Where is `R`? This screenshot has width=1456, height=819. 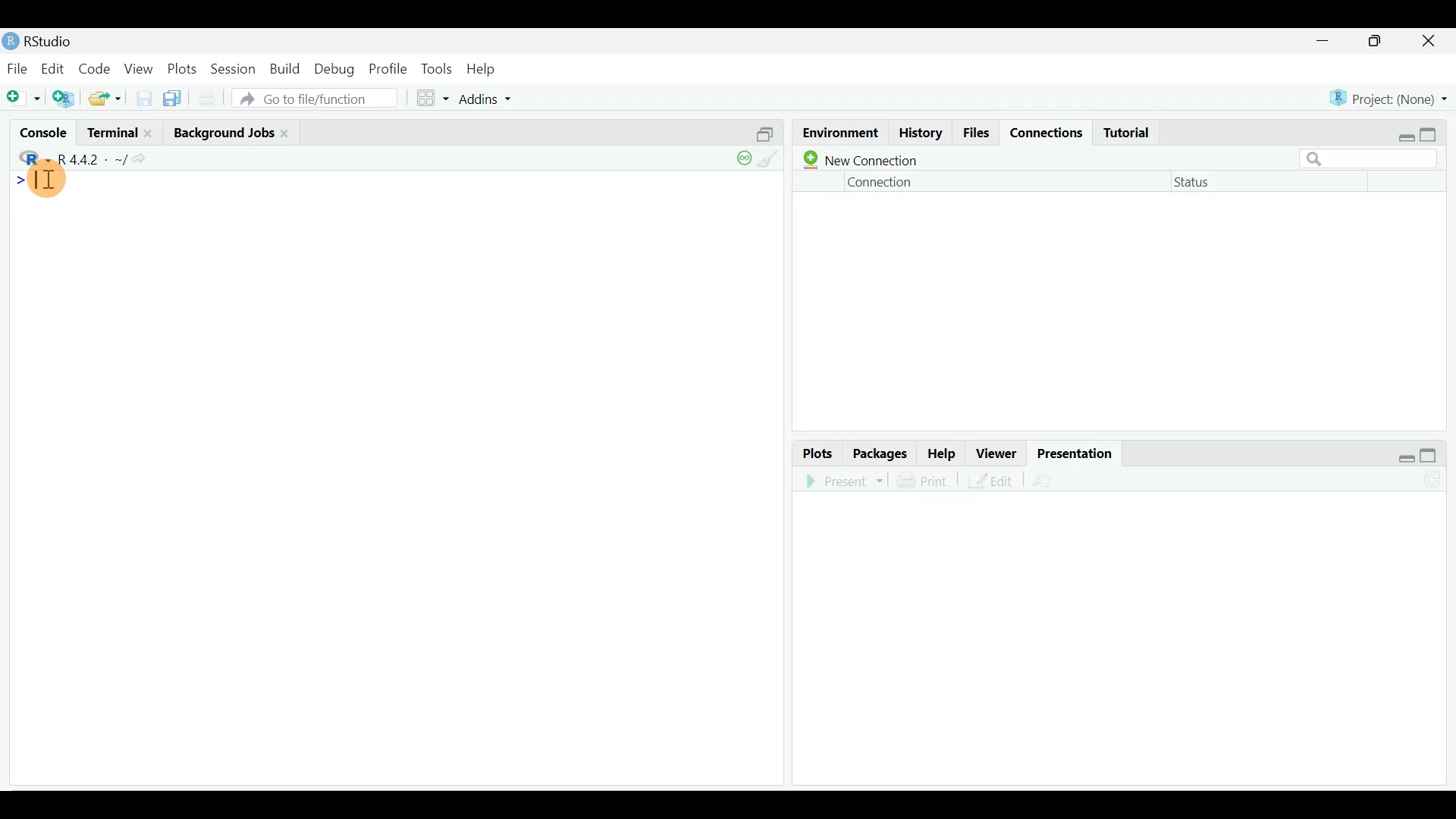 R is located at coordinates (32, 157).